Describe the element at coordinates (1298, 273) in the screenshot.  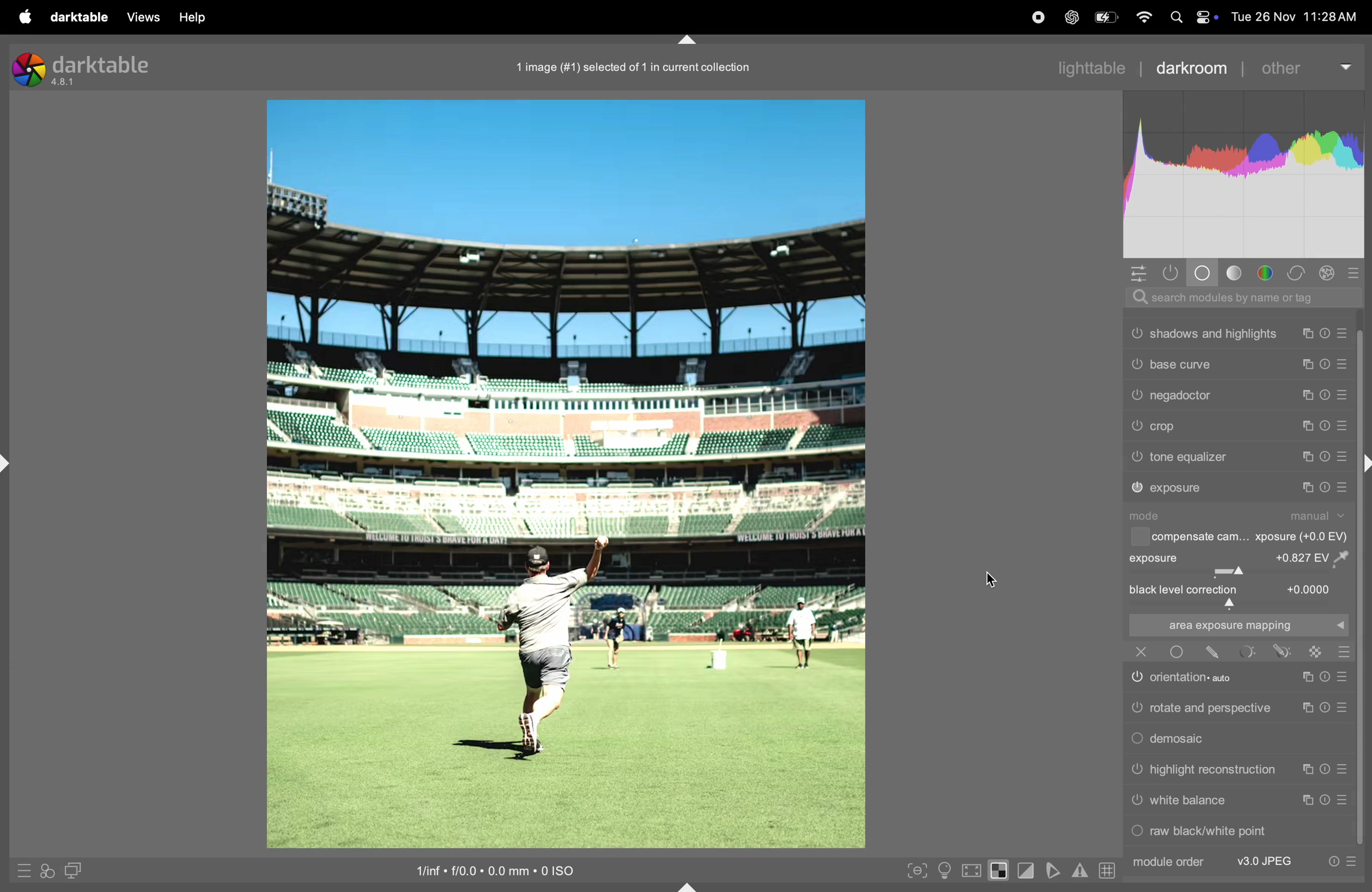
I see `correct` at that location.